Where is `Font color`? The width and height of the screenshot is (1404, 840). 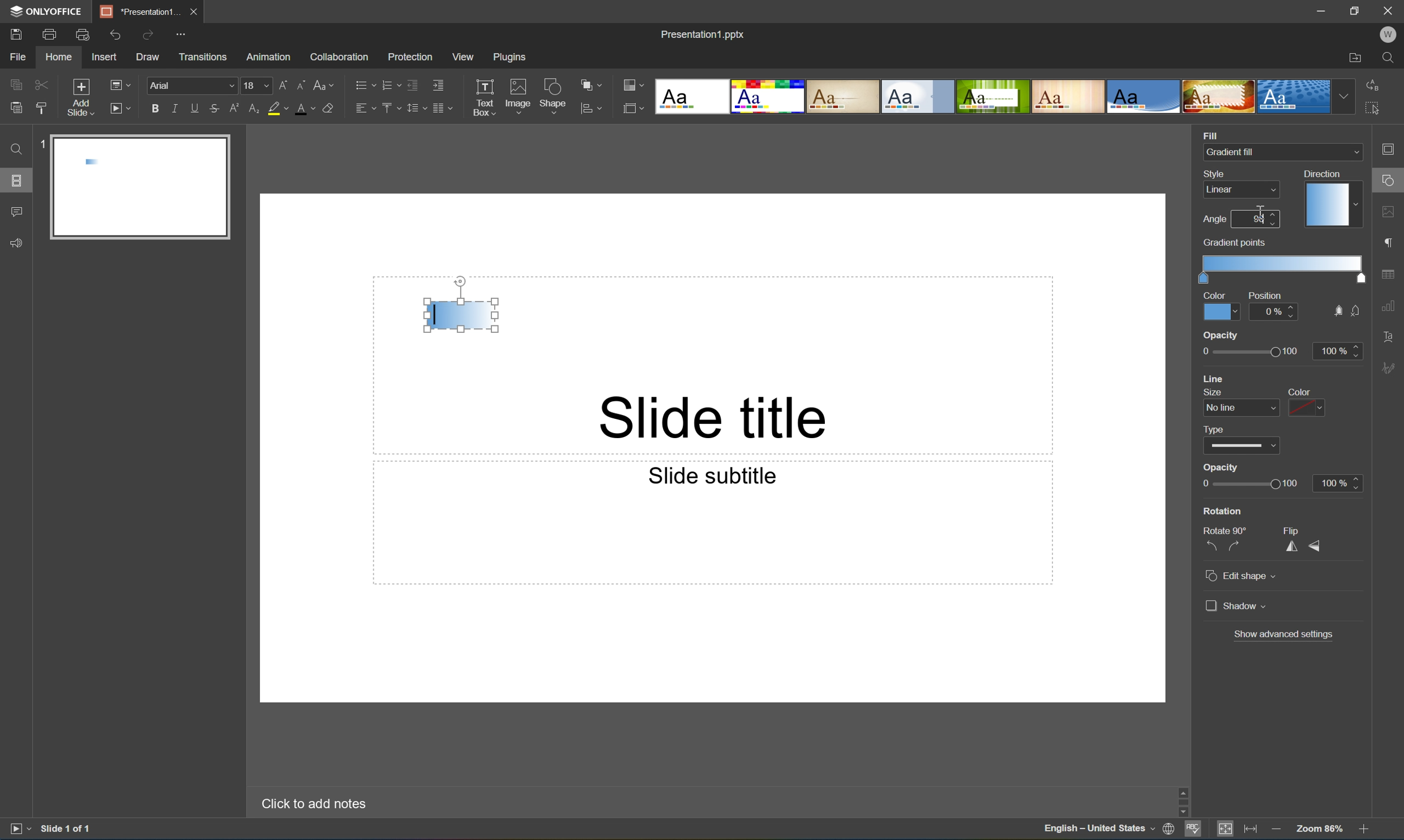
Font color is located at coordinates (303, 108).